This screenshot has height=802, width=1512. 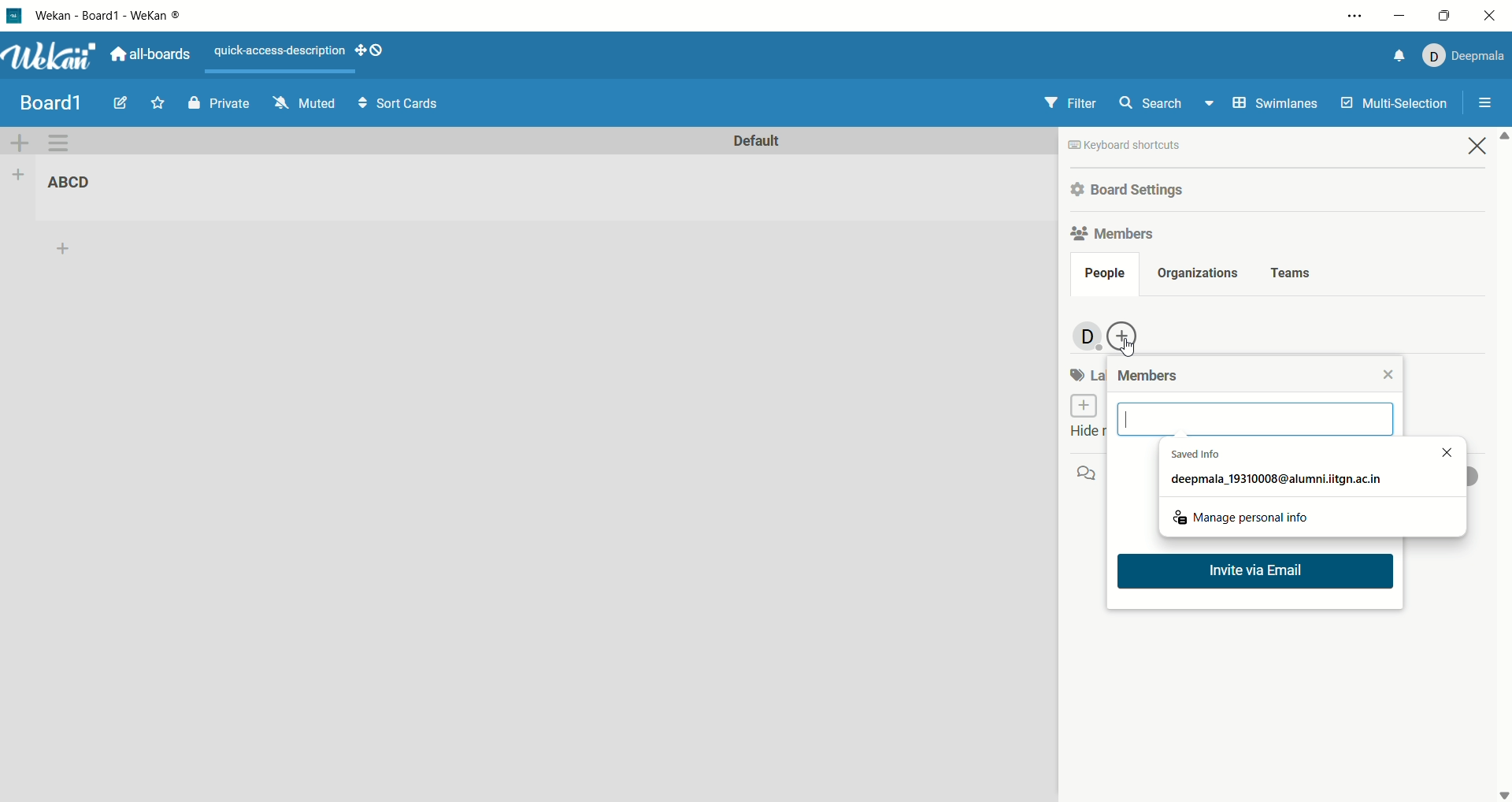 What do you see at coordinates (1503, 465) in the screenshot?
I see `vertical scroll bar` at bounding box center [1503, 465].